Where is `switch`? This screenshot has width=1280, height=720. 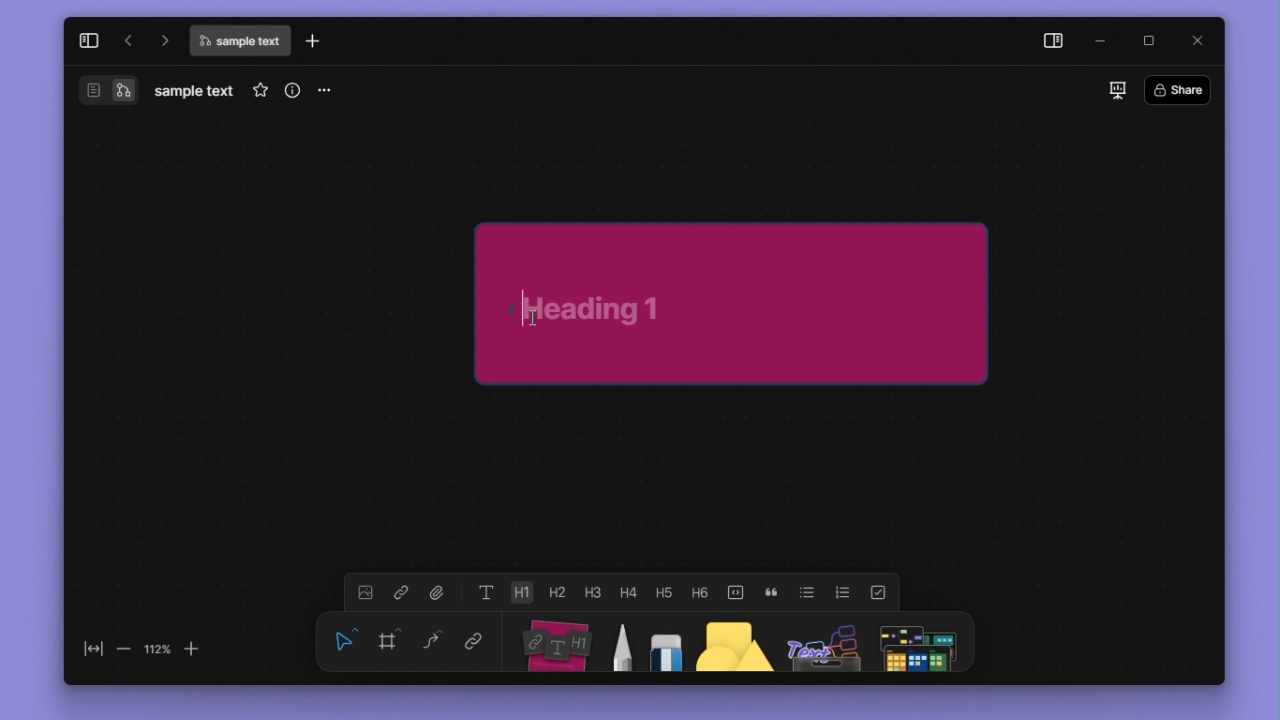 switch is located at coordinates (123, 90).